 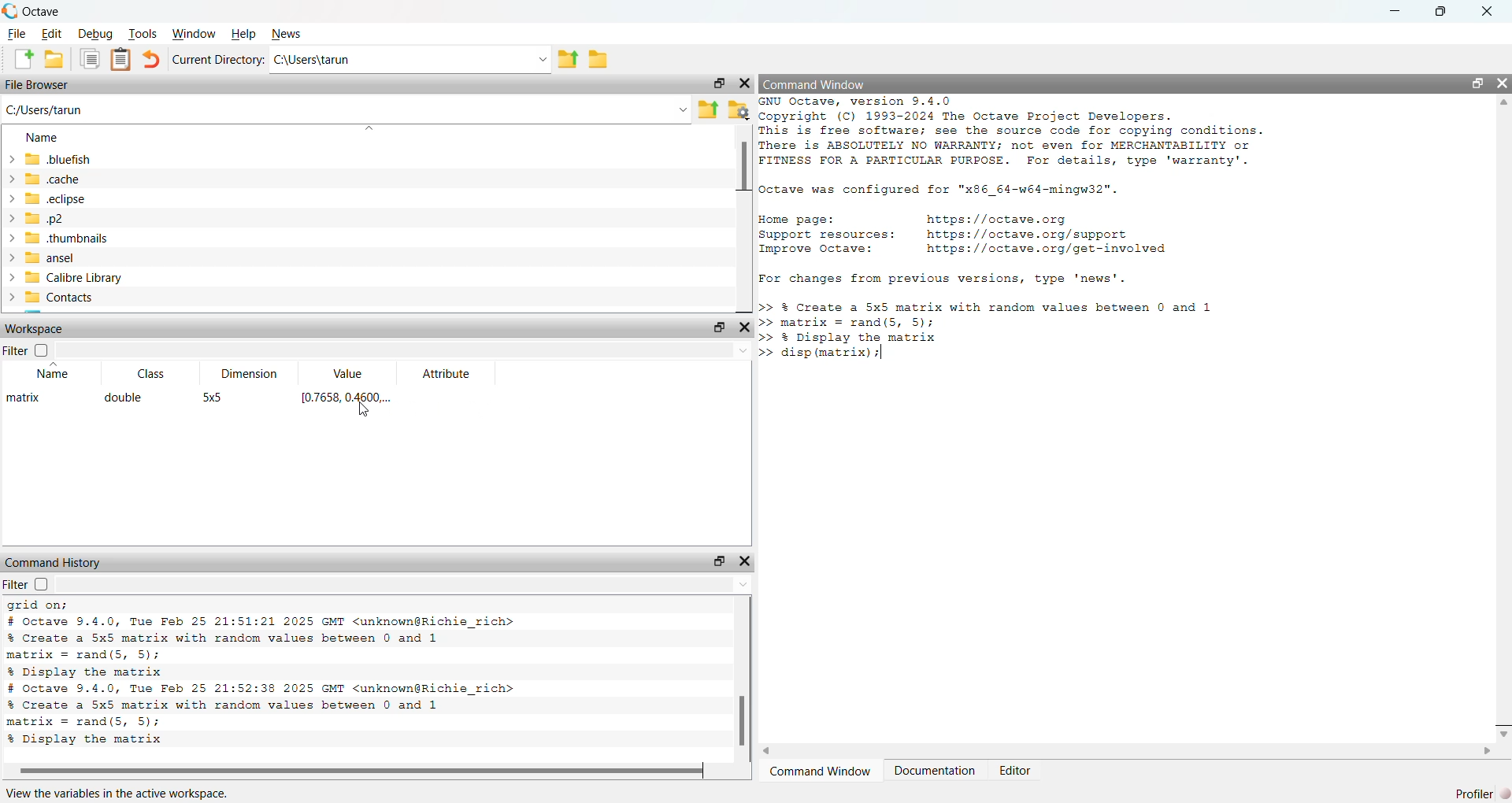 I want to click on Workspace, so click(x=42, y=329).